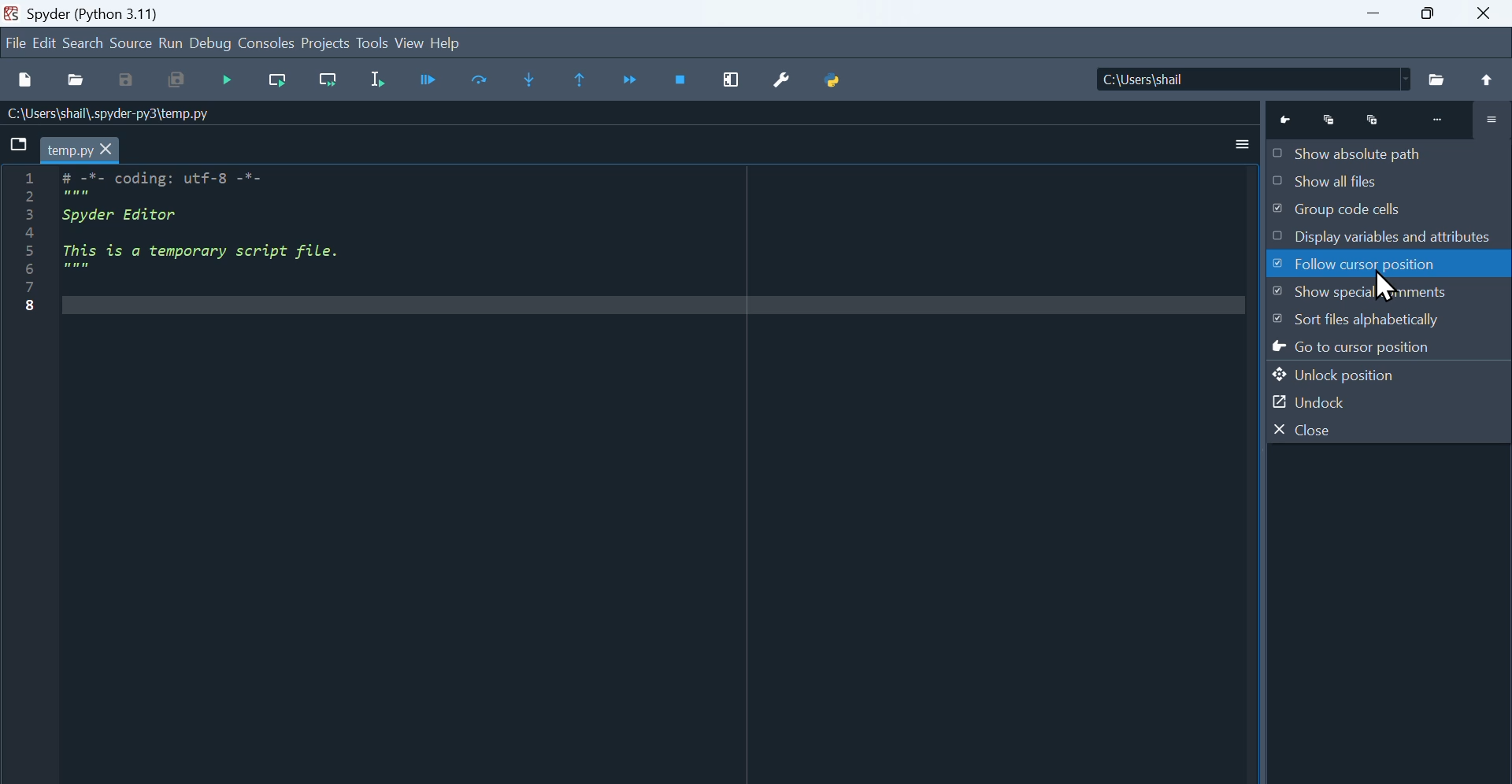 The image size is (1512, 784). What do you see at coordinates (831, 83) in the screenshot?
I see `python path manager` at bounding box center [831, 83].